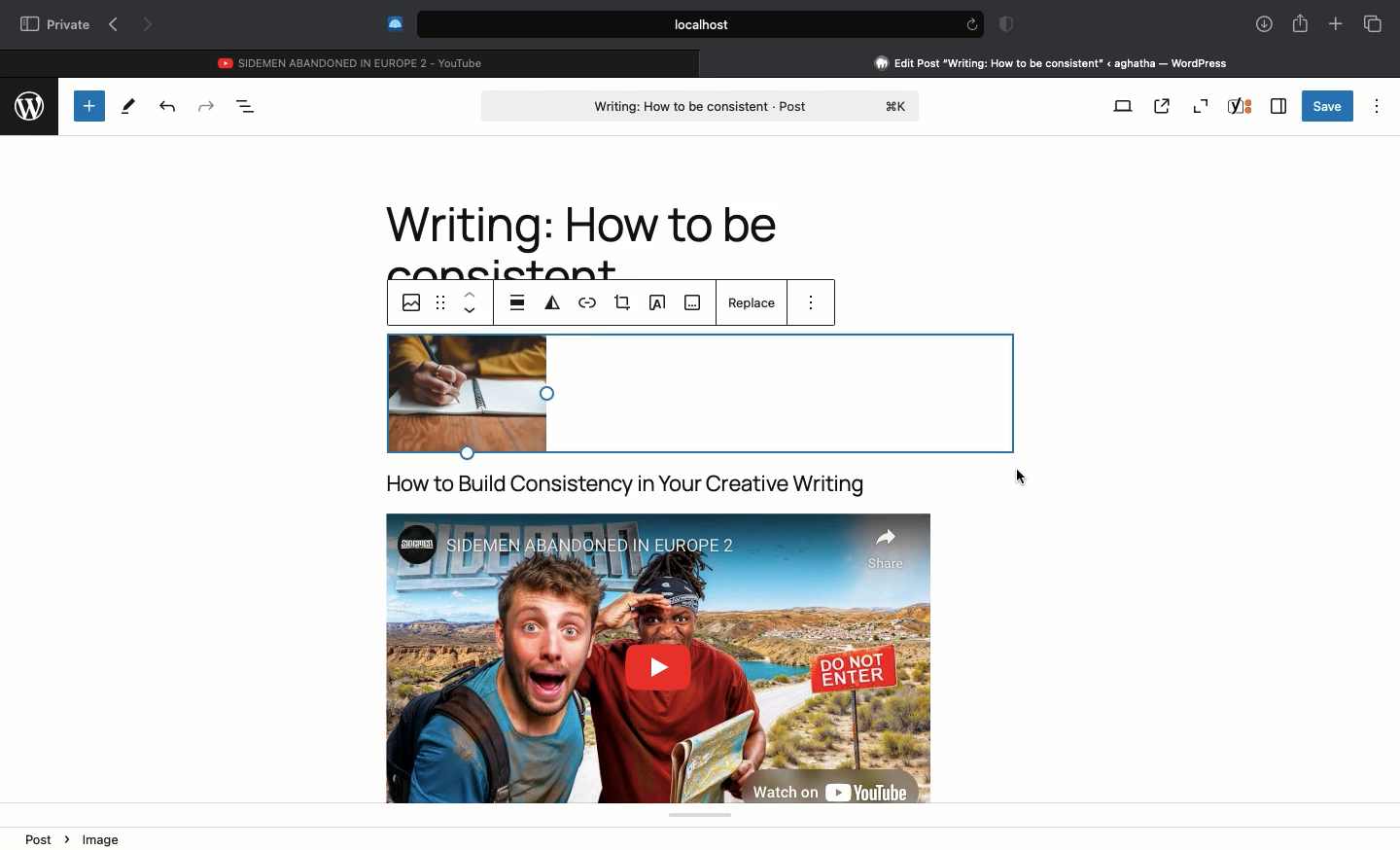  What do you see at coordinates (104, 839) in the screenshot?
I see `image` at bounding box center [104, 839].